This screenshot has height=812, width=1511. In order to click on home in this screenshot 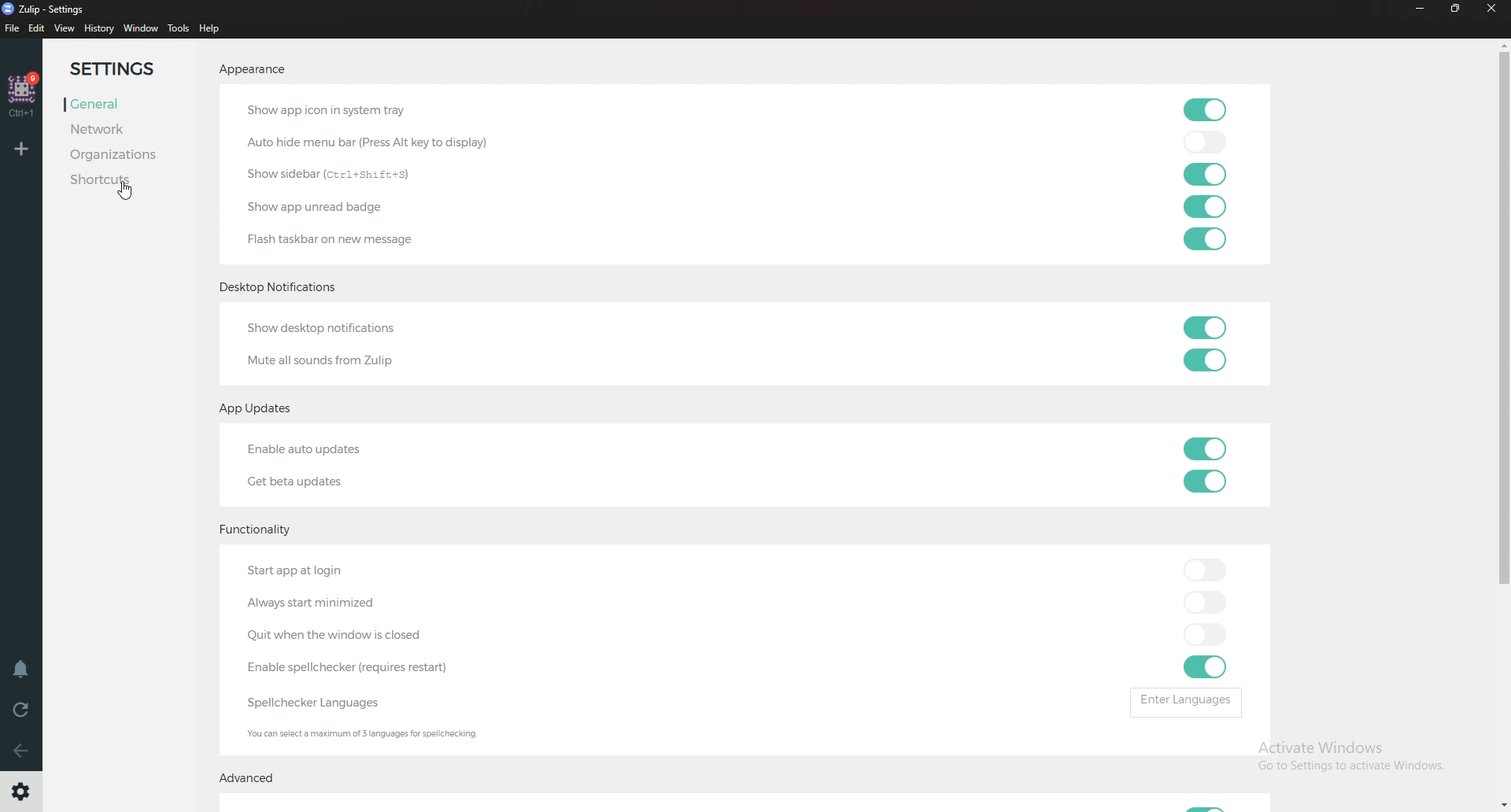, I will do `click(22, 94)`.